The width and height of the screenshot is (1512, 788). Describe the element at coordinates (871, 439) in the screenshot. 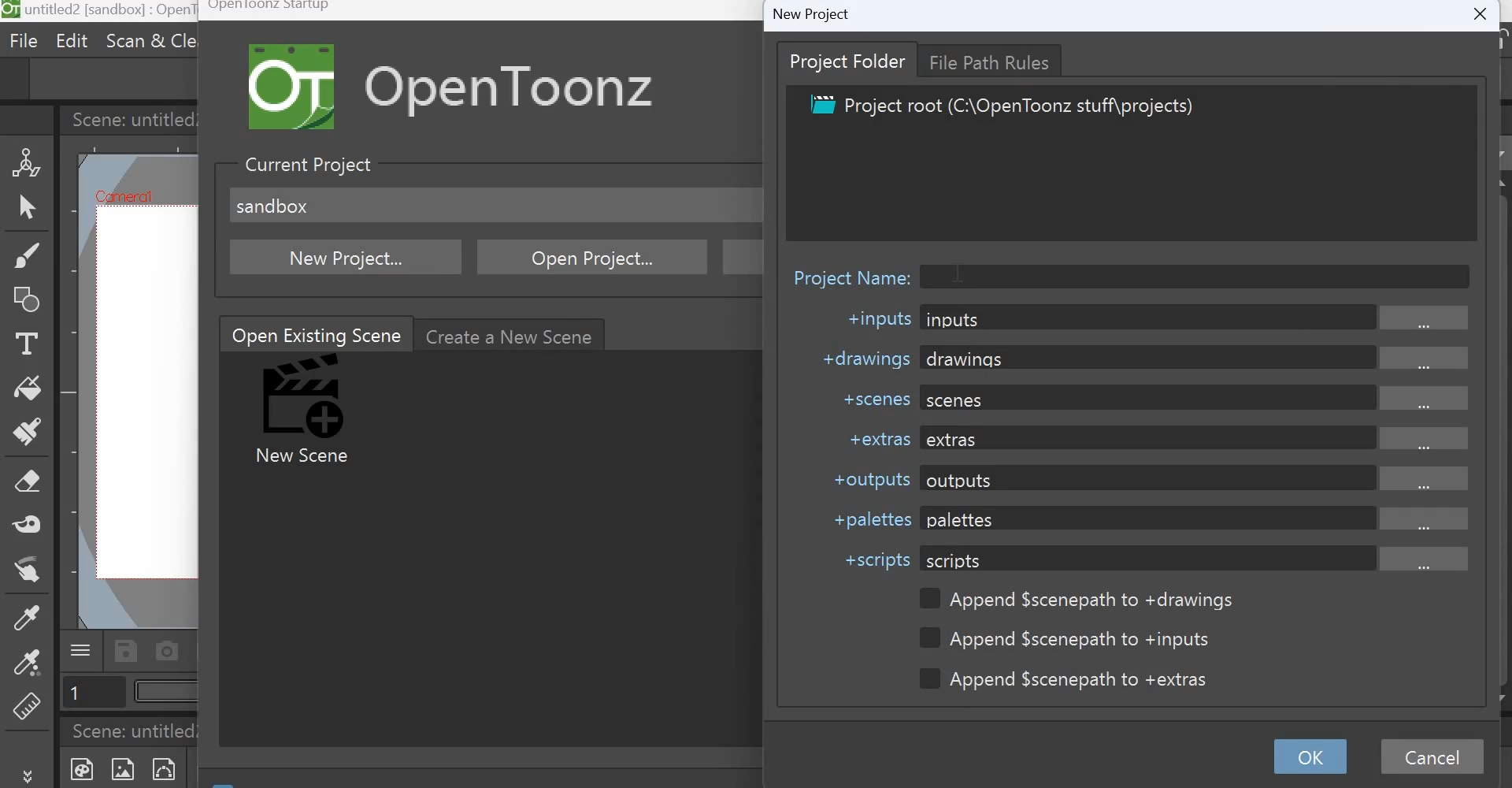

I see `+extras` at that location.